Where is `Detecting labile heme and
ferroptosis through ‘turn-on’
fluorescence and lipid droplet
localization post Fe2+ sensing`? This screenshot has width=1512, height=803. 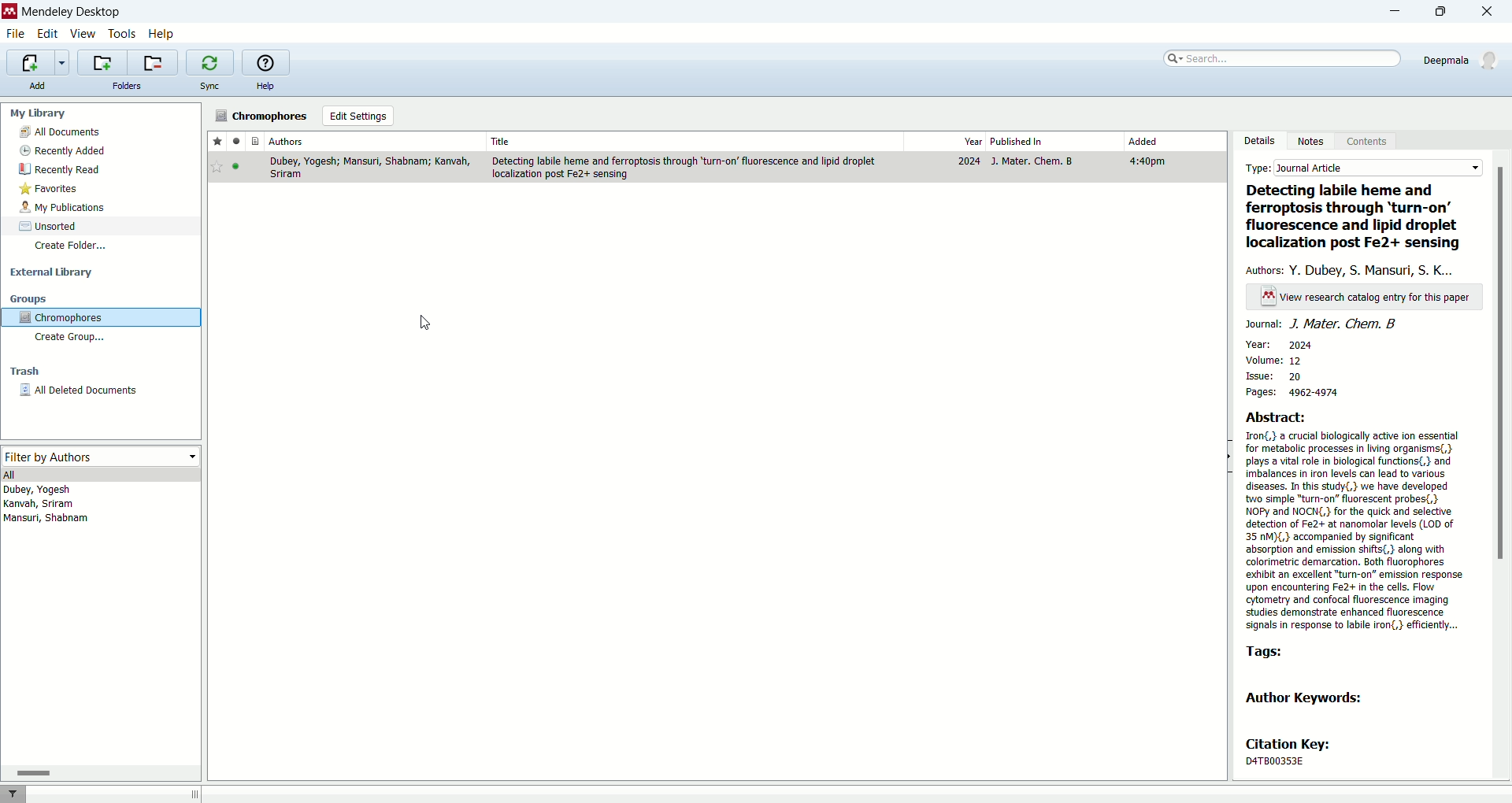
Detecting labile heme and
ferroptosis through ‘turn-on’
fluorescence and lipid droplet
localization post Fe2+ sensing is located at coordinates (1358, 218).